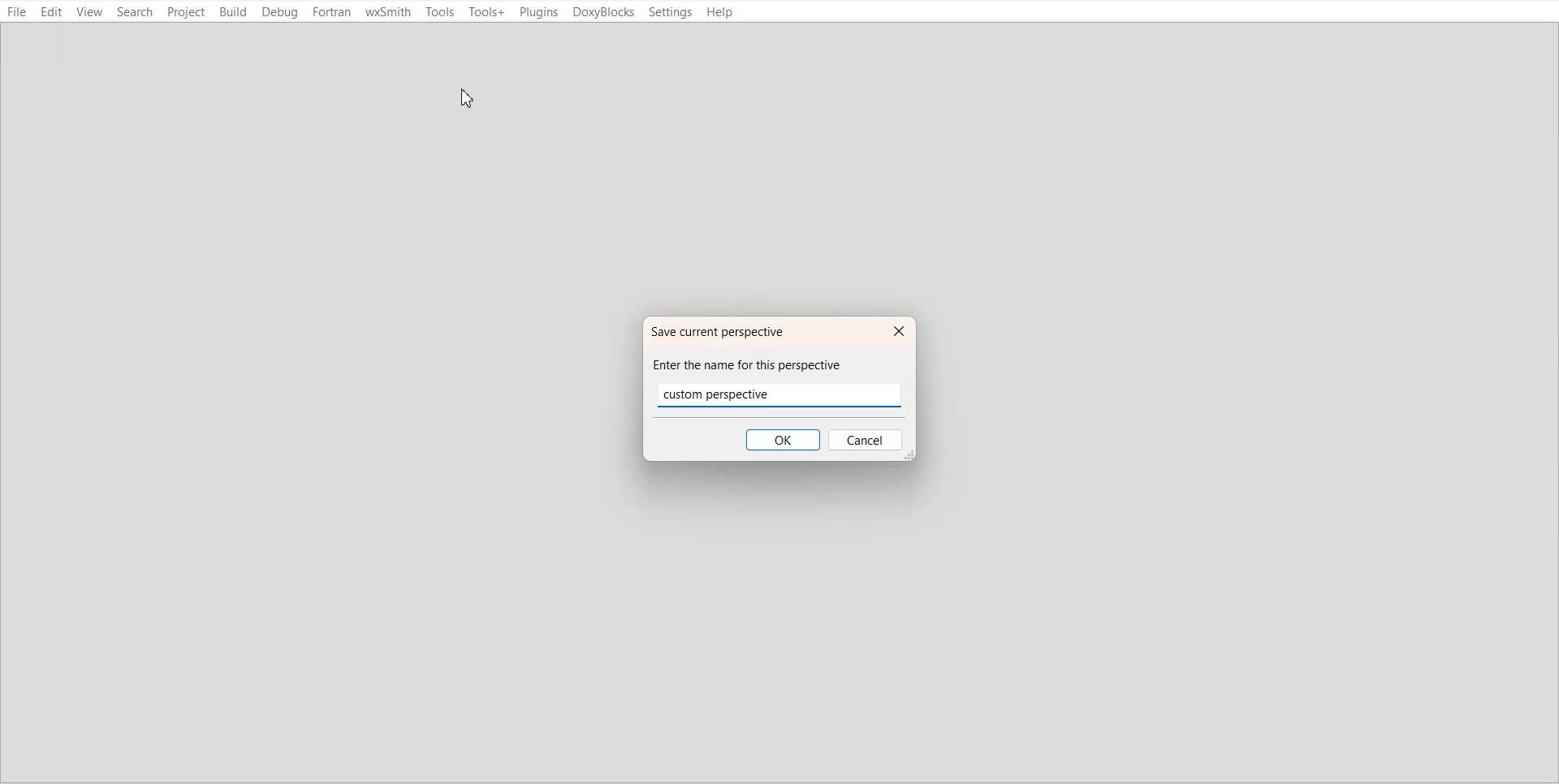  What do you see at coordinates (52, 12) in the screenshot?
I see `Edit` at bounding box center [52, 12].